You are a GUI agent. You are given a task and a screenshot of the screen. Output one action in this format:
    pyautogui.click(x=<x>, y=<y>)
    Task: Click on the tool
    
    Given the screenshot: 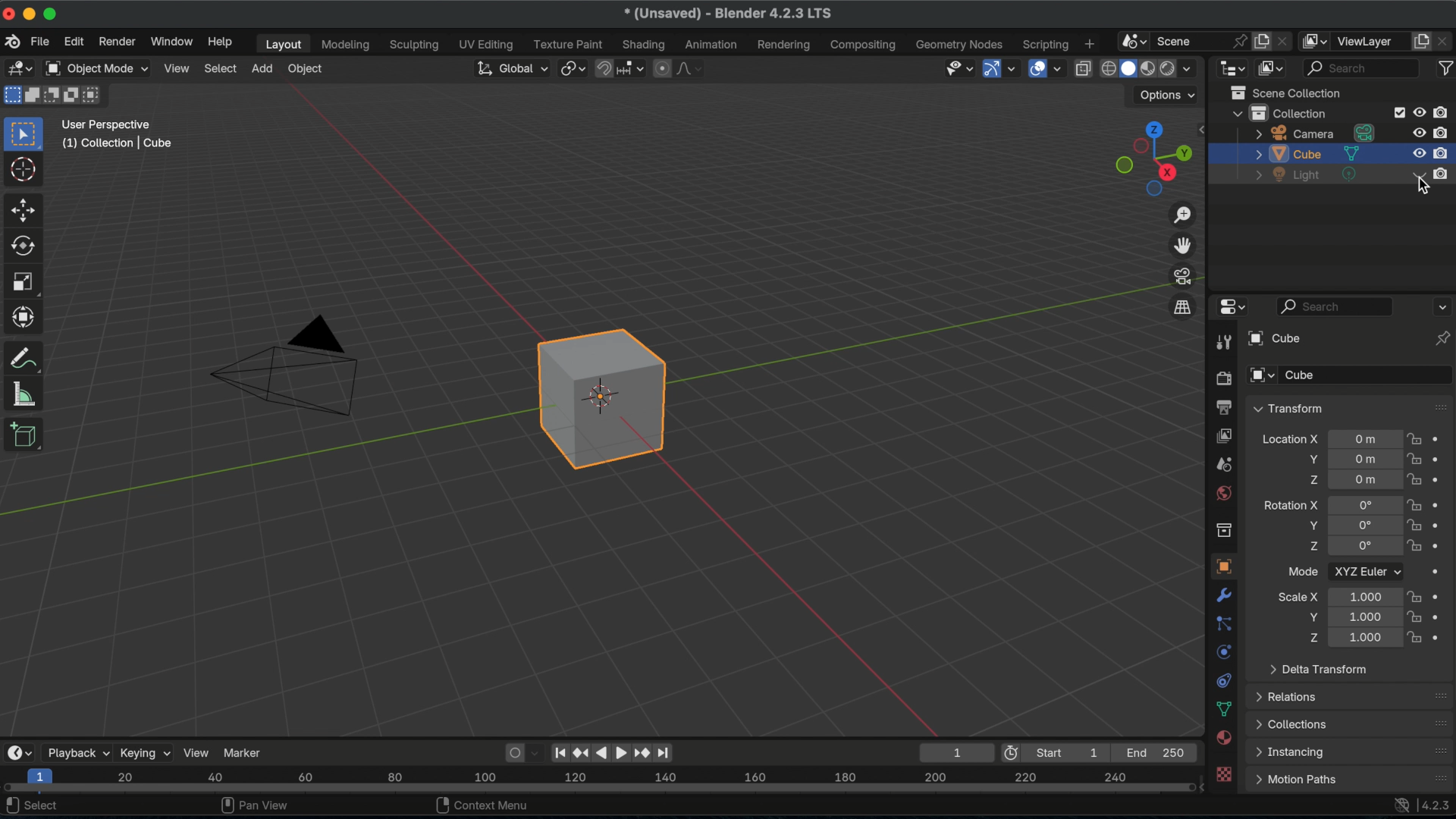 What is the action you would take?
    pyautogui.click(x=1221, y=342)
    